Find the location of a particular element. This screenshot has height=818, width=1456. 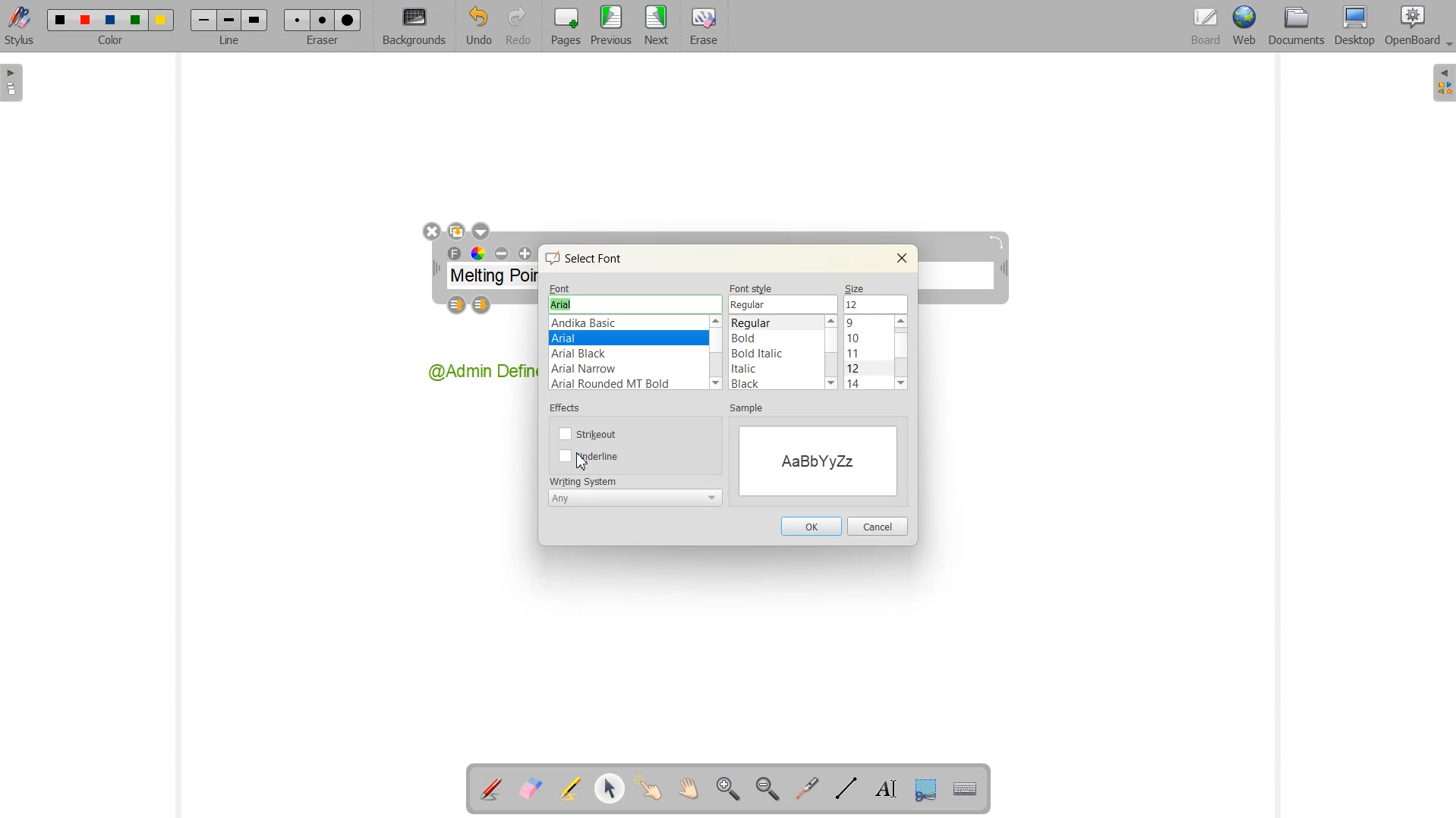

Redo is located at coordinates (518, 26).